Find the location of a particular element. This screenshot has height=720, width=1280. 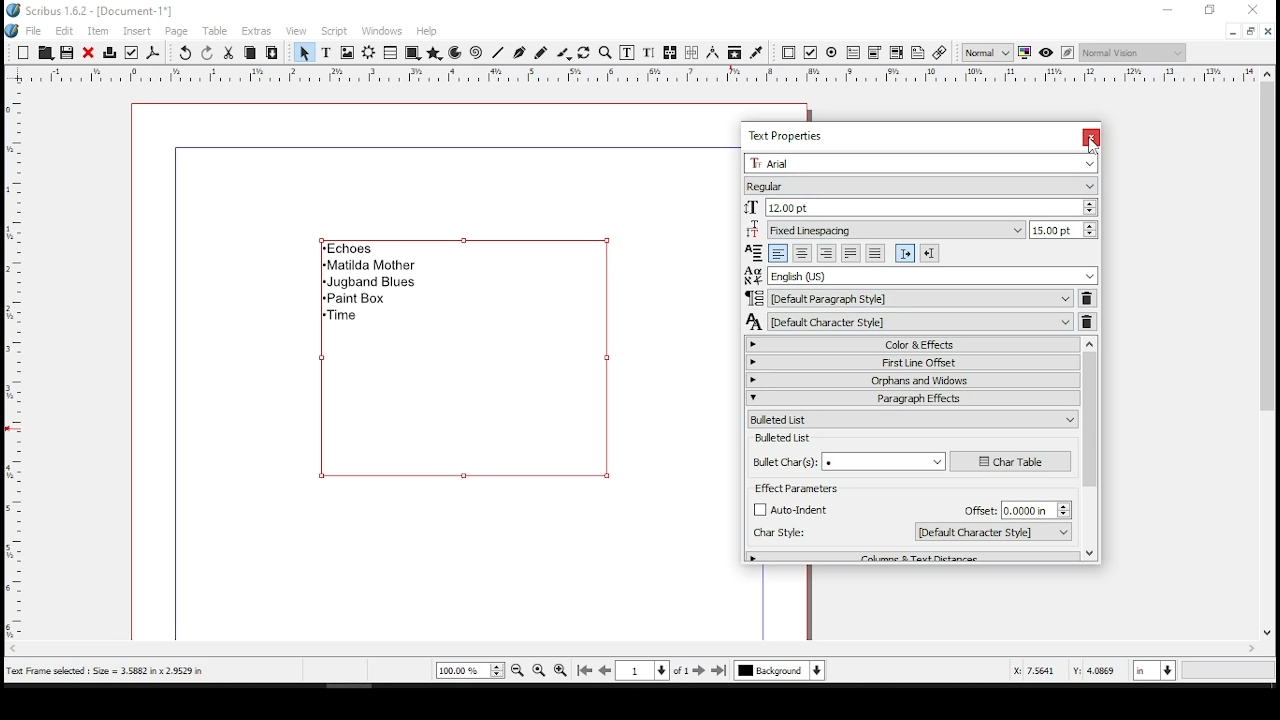

page is located at coordinates (178, 31).